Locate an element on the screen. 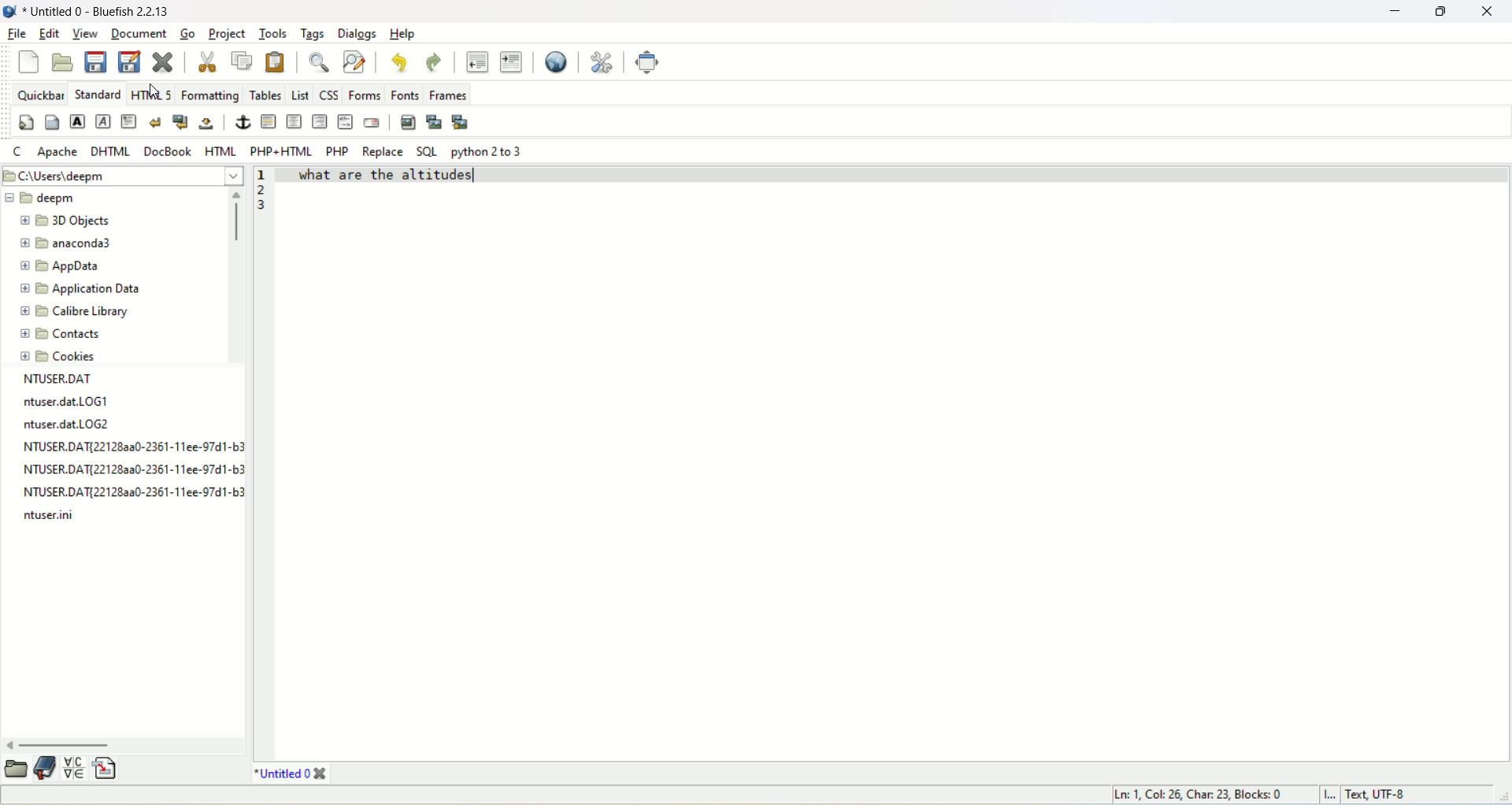 This screenshot has height=805, width=1512. title is located at coordinates (97, 10).